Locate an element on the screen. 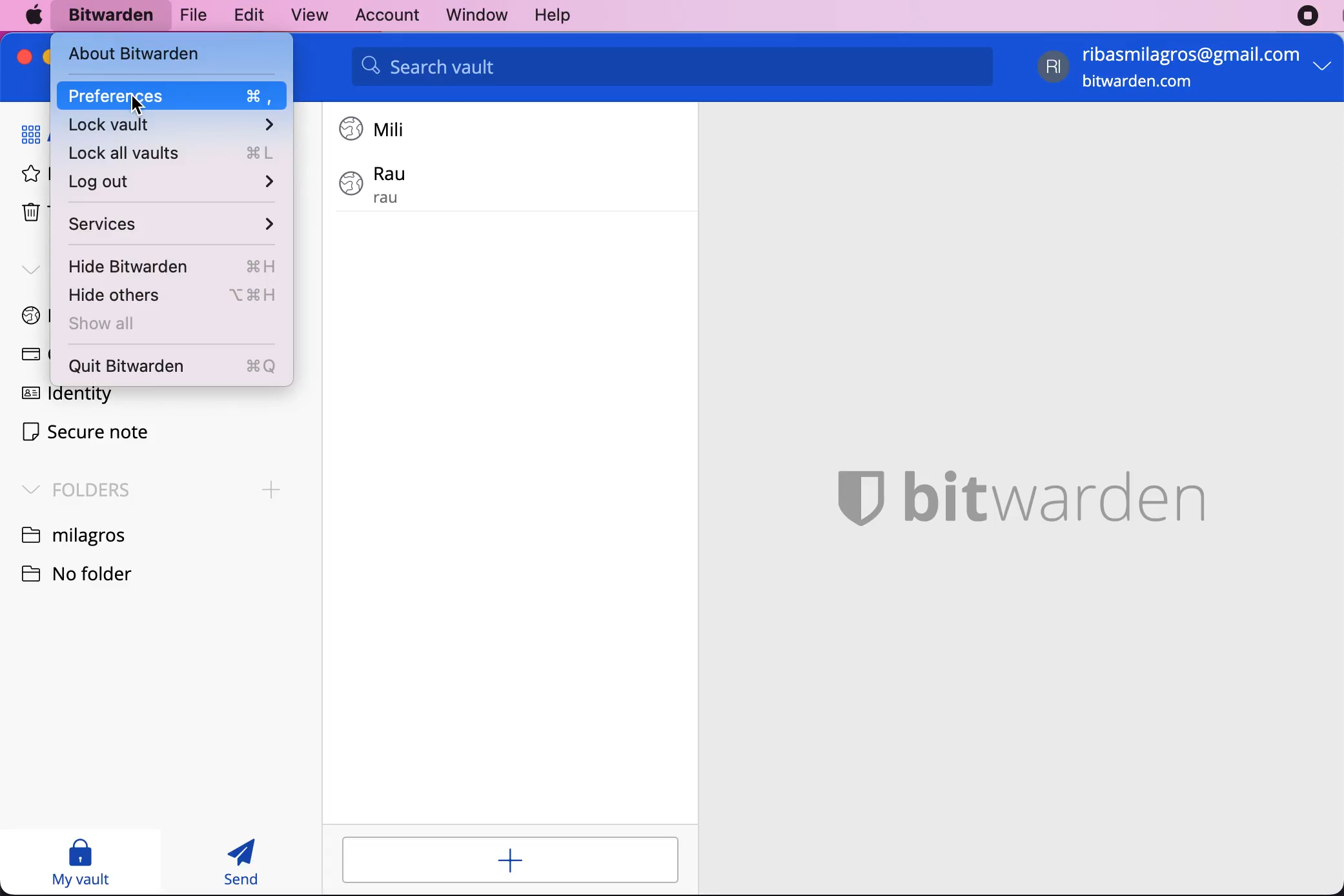 The height and width of the screenshot is (896, 1344). show all is located at coordinates (112, 325).